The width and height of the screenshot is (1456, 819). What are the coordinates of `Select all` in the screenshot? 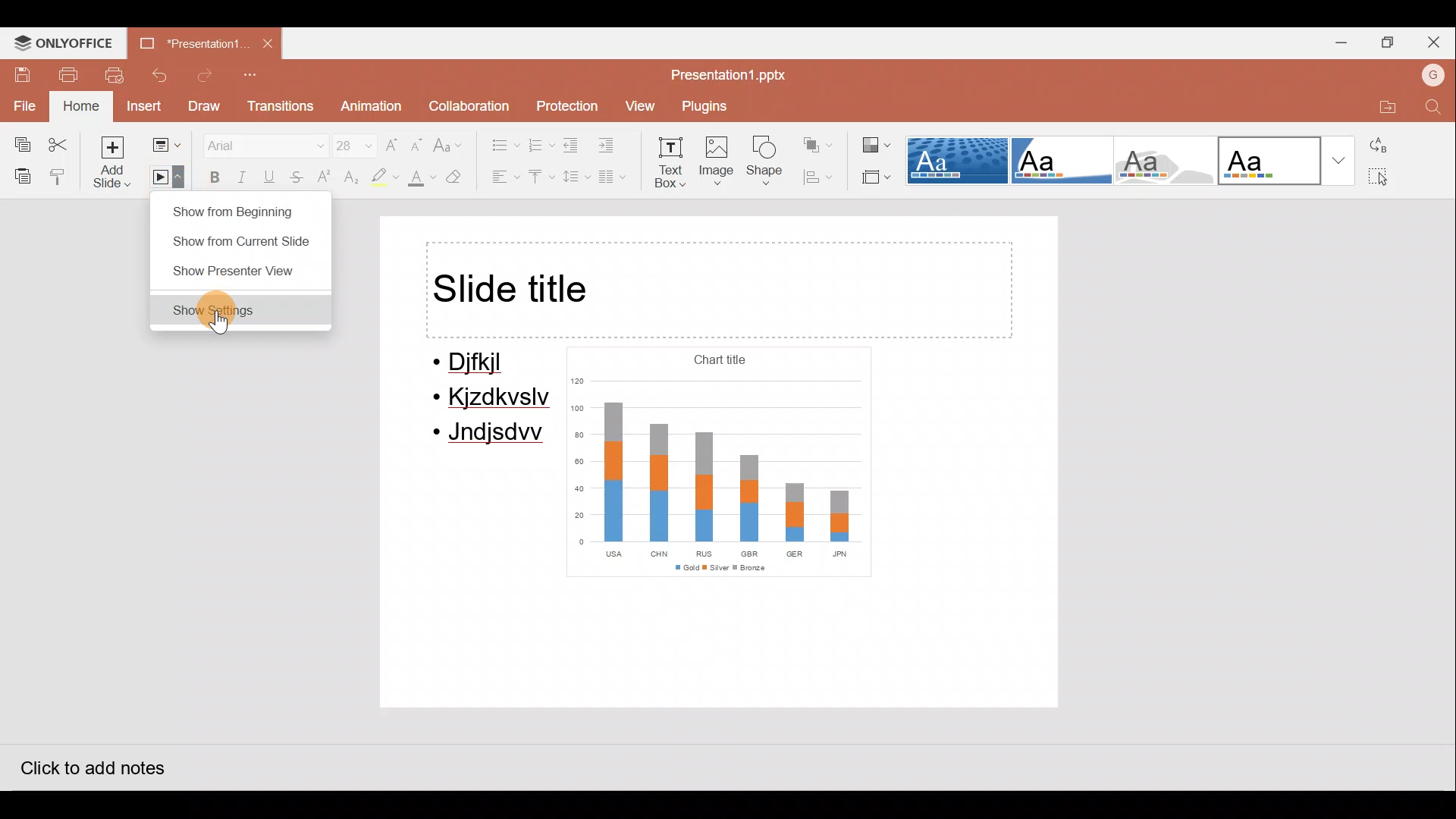 It's located at (1386, 177).